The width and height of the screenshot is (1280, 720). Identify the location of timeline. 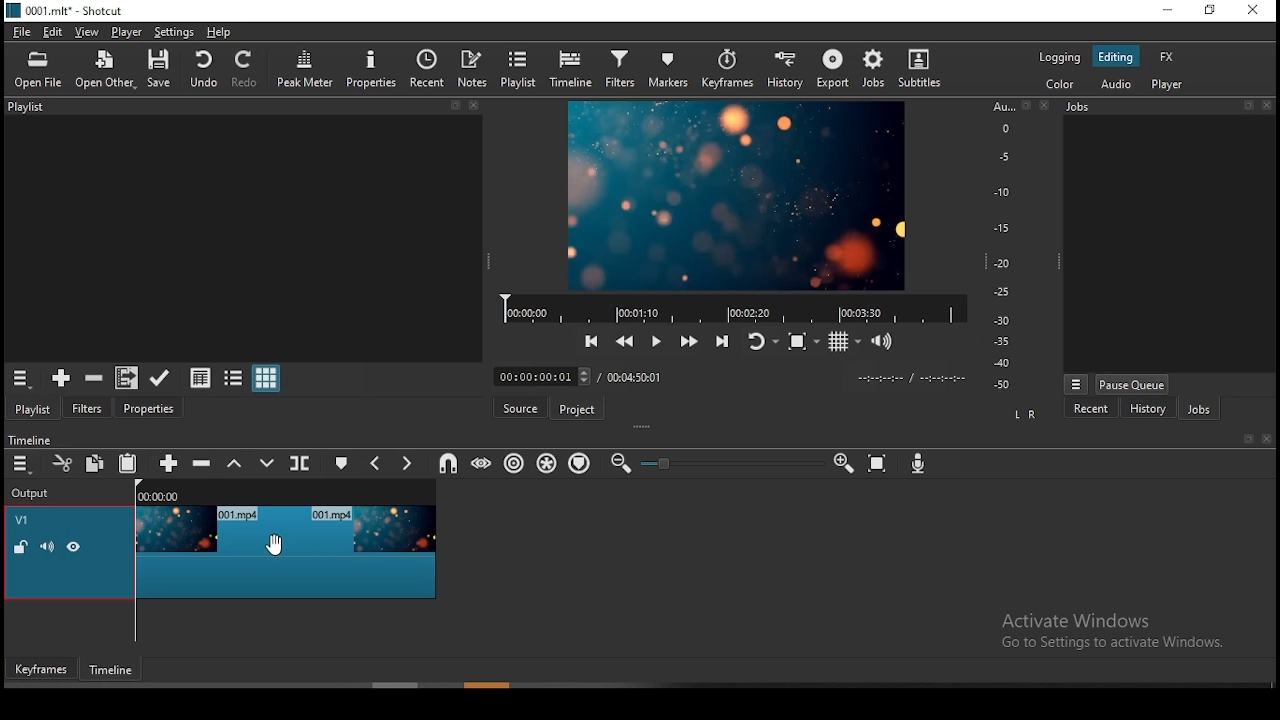
(31, 437).